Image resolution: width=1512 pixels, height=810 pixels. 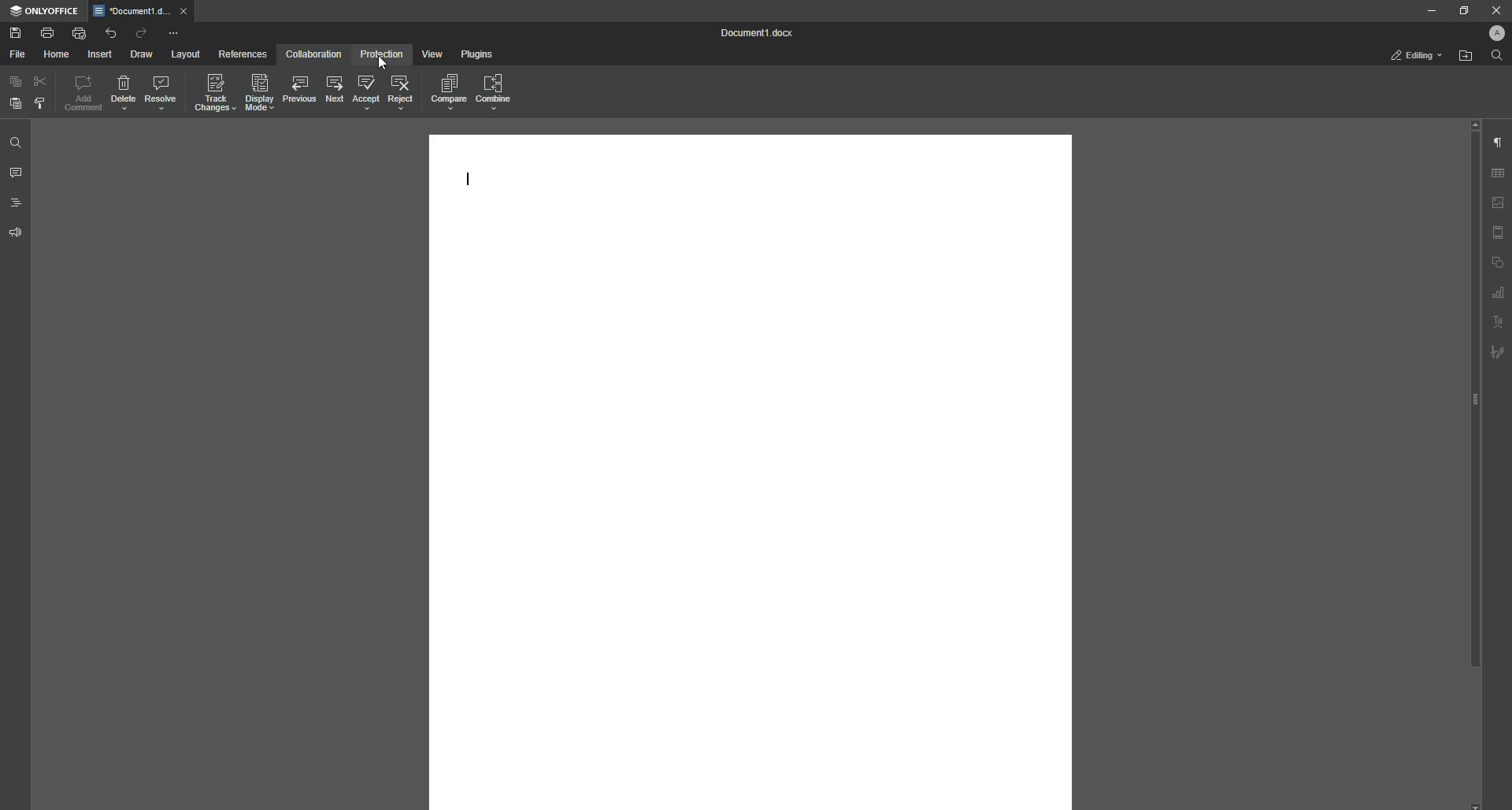 I want to click on scroll up, so click(x=1475, y=124).